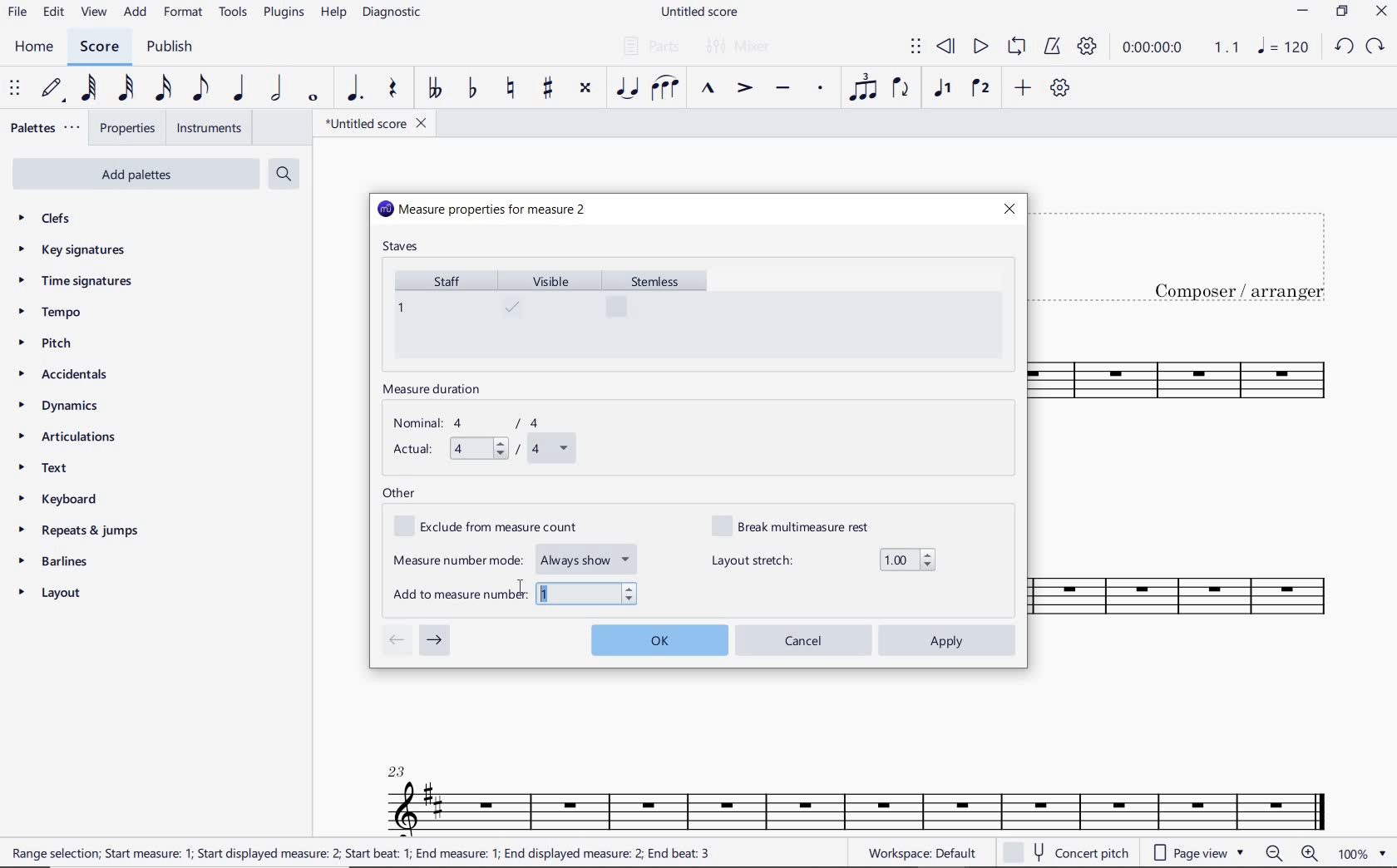  What do you see at coordinates (475, 423) in the screenshot?
I see `nominal` at bounding box center [475, 423].